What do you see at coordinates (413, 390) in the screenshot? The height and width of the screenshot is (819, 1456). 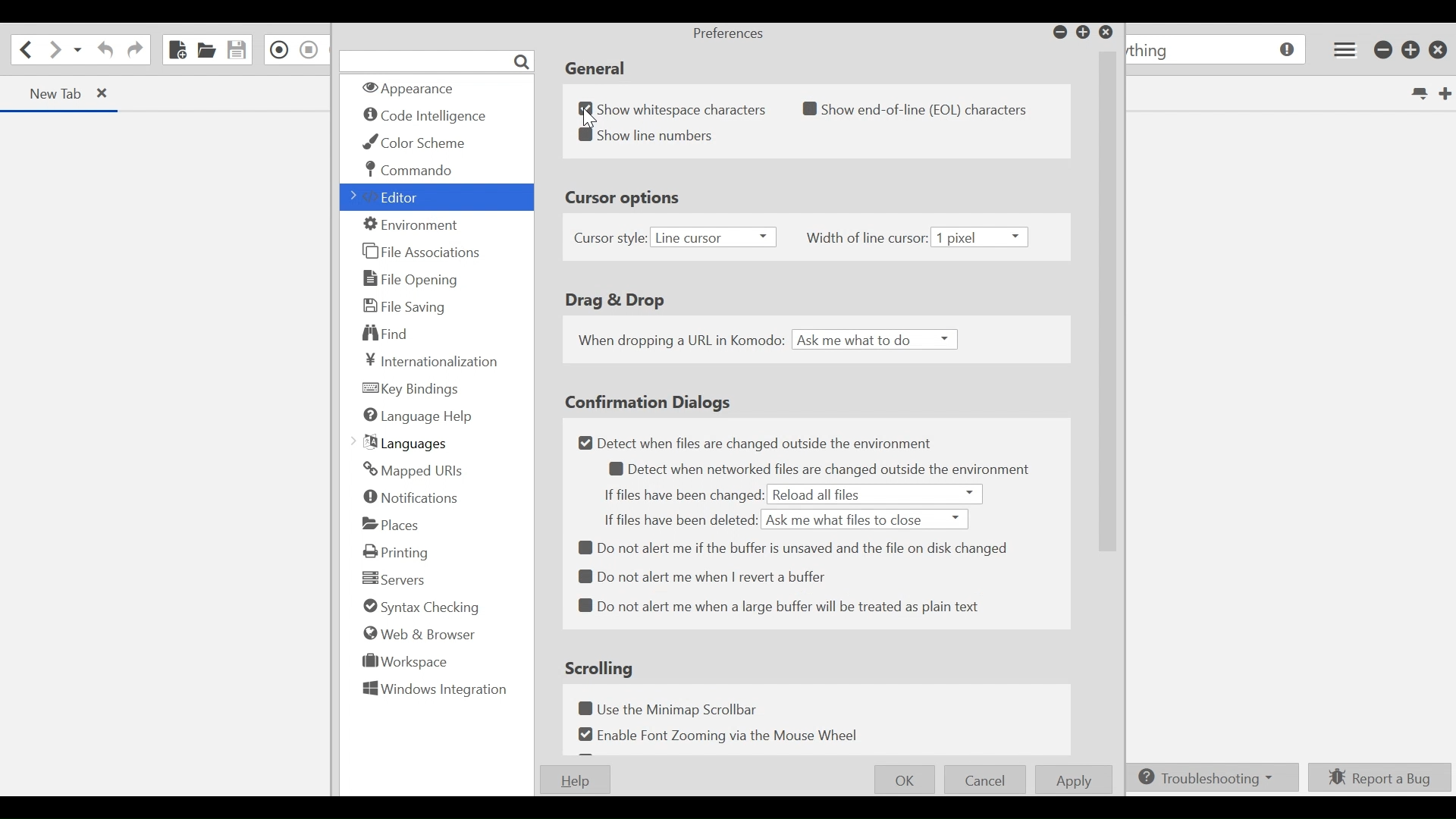 I see `Key Bindings` at bounding box center [413, 390].